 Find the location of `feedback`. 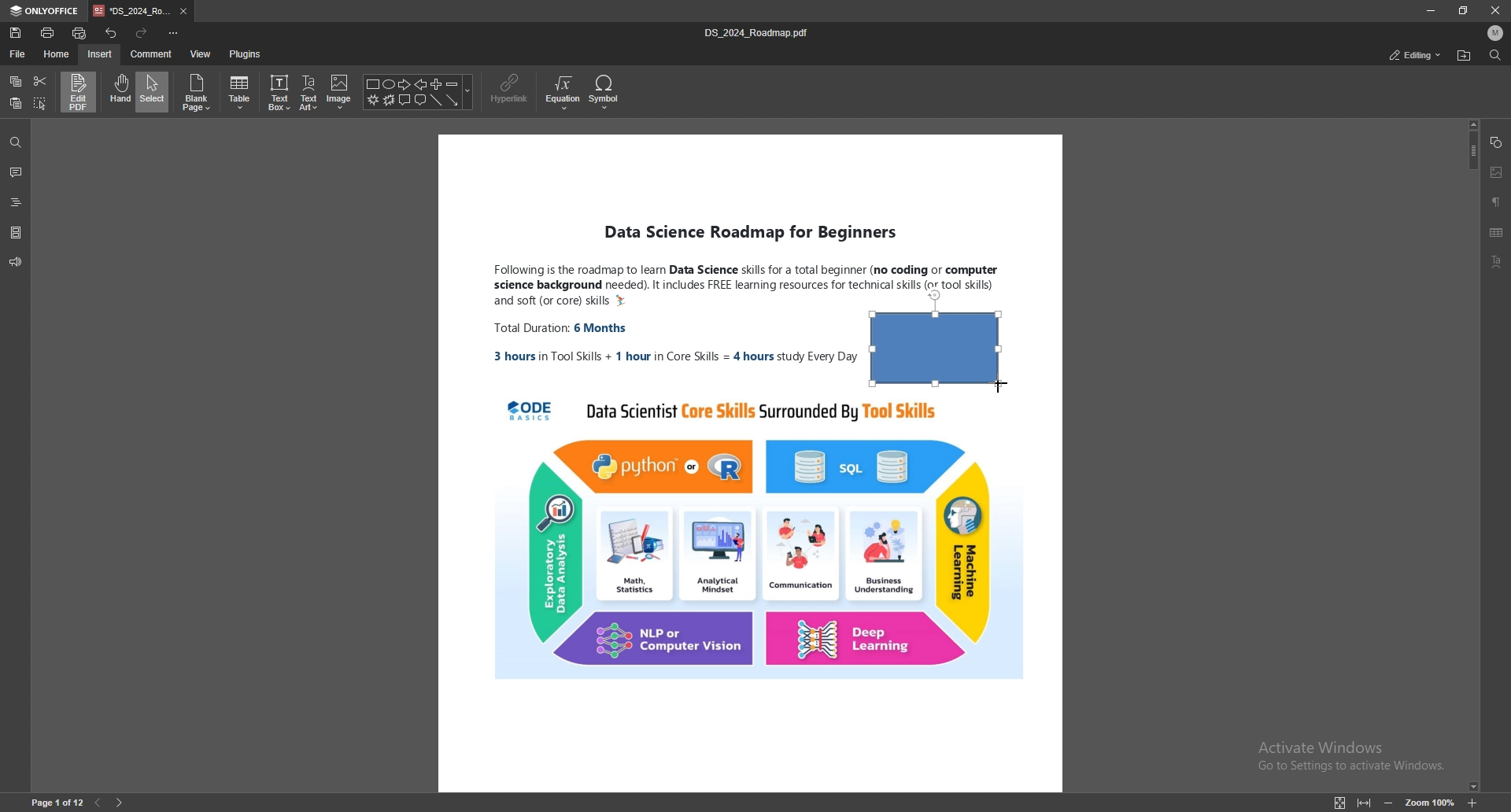

feedback is located at coordinates (16, 262).